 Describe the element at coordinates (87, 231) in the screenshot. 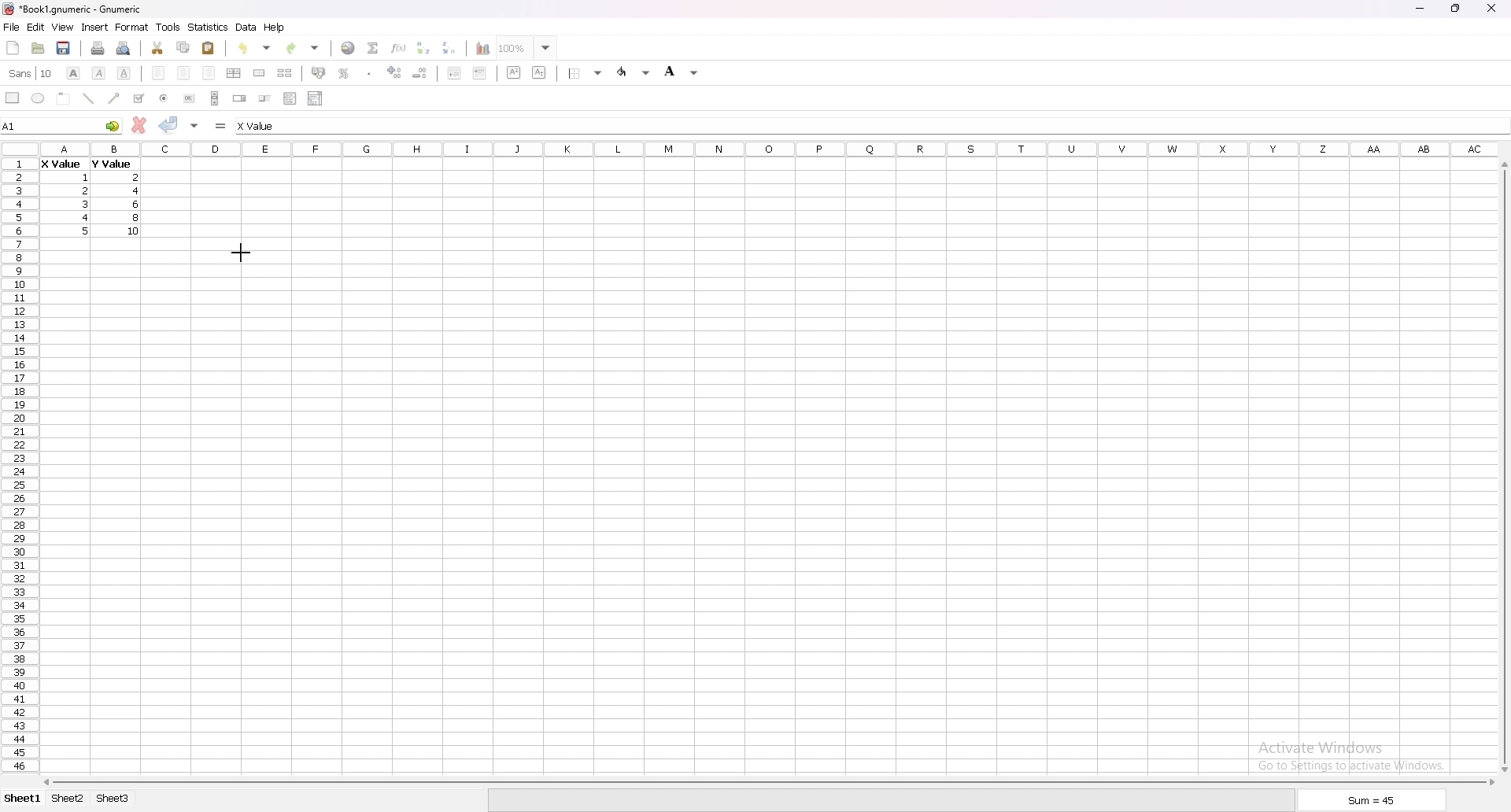

I see `value` at that location.